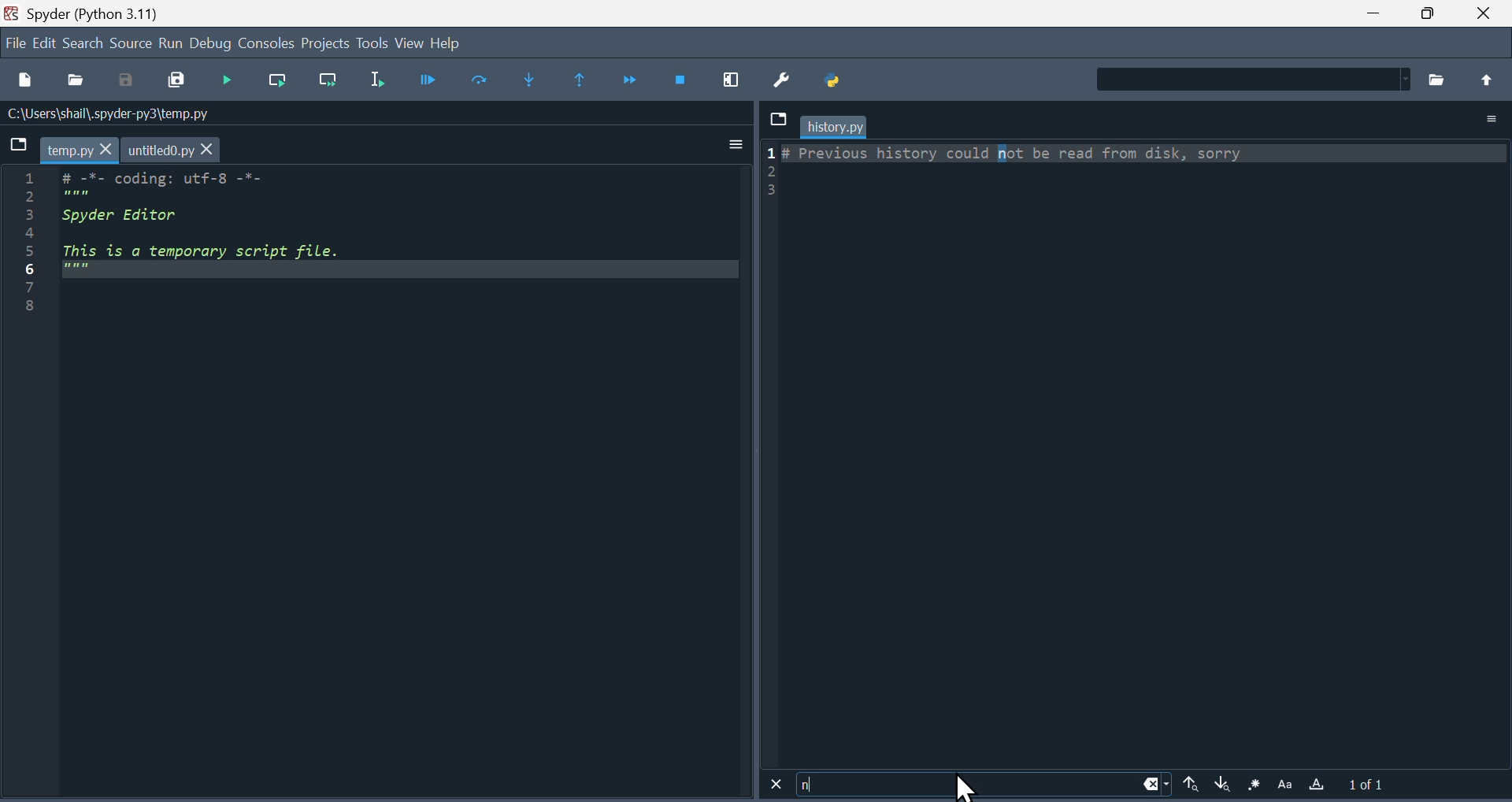 The height and width of the screenshot is (802, 1512). Describe the element at coordinates (439, 80) in the screenshot. I see `Debug file` at that location.